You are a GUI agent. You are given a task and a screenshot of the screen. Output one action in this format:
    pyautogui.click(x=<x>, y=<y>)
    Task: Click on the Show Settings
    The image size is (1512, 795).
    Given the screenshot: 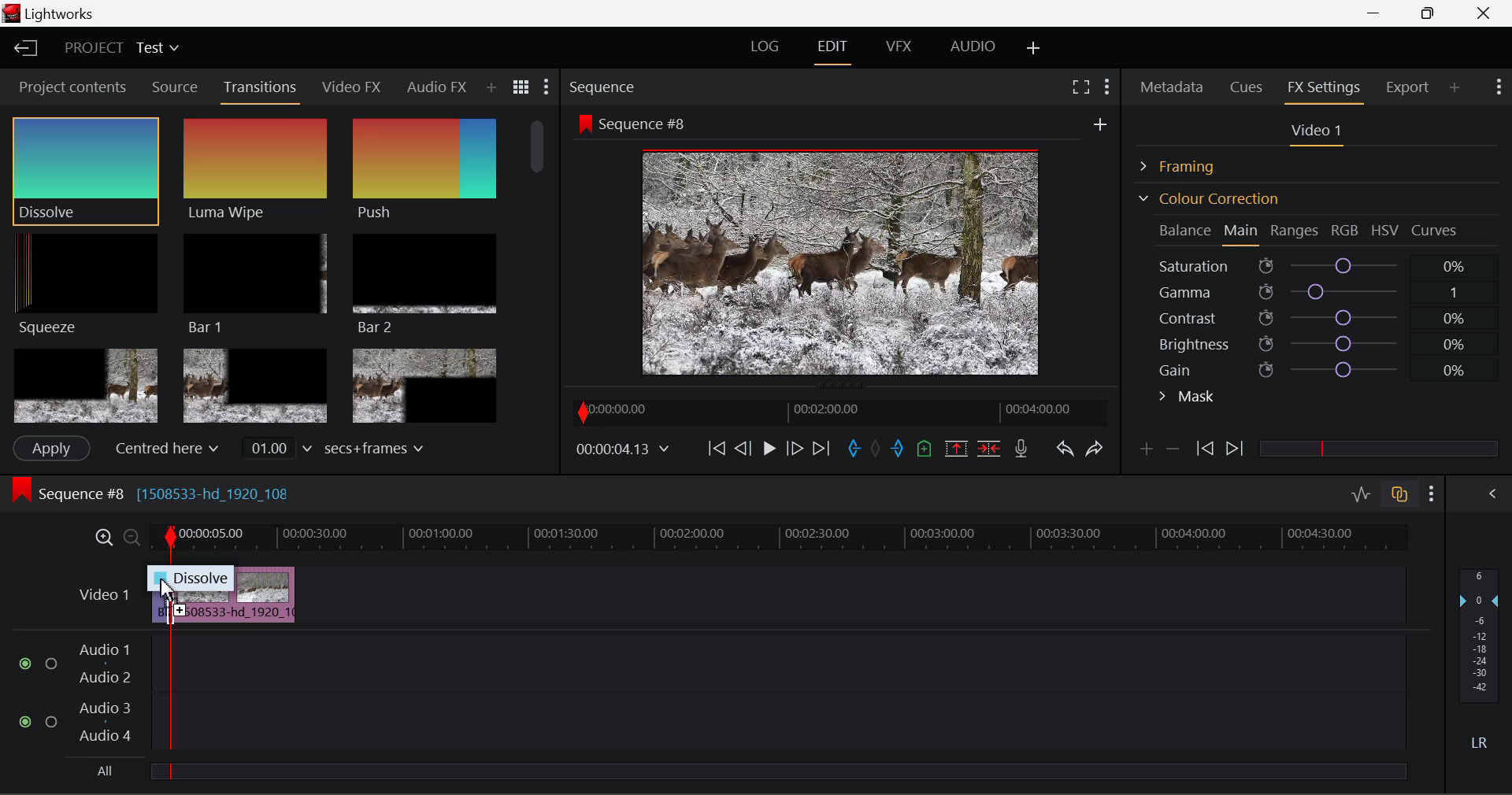 What is the action you would take?
    pyautogui.click(x=1497, y=85)
    